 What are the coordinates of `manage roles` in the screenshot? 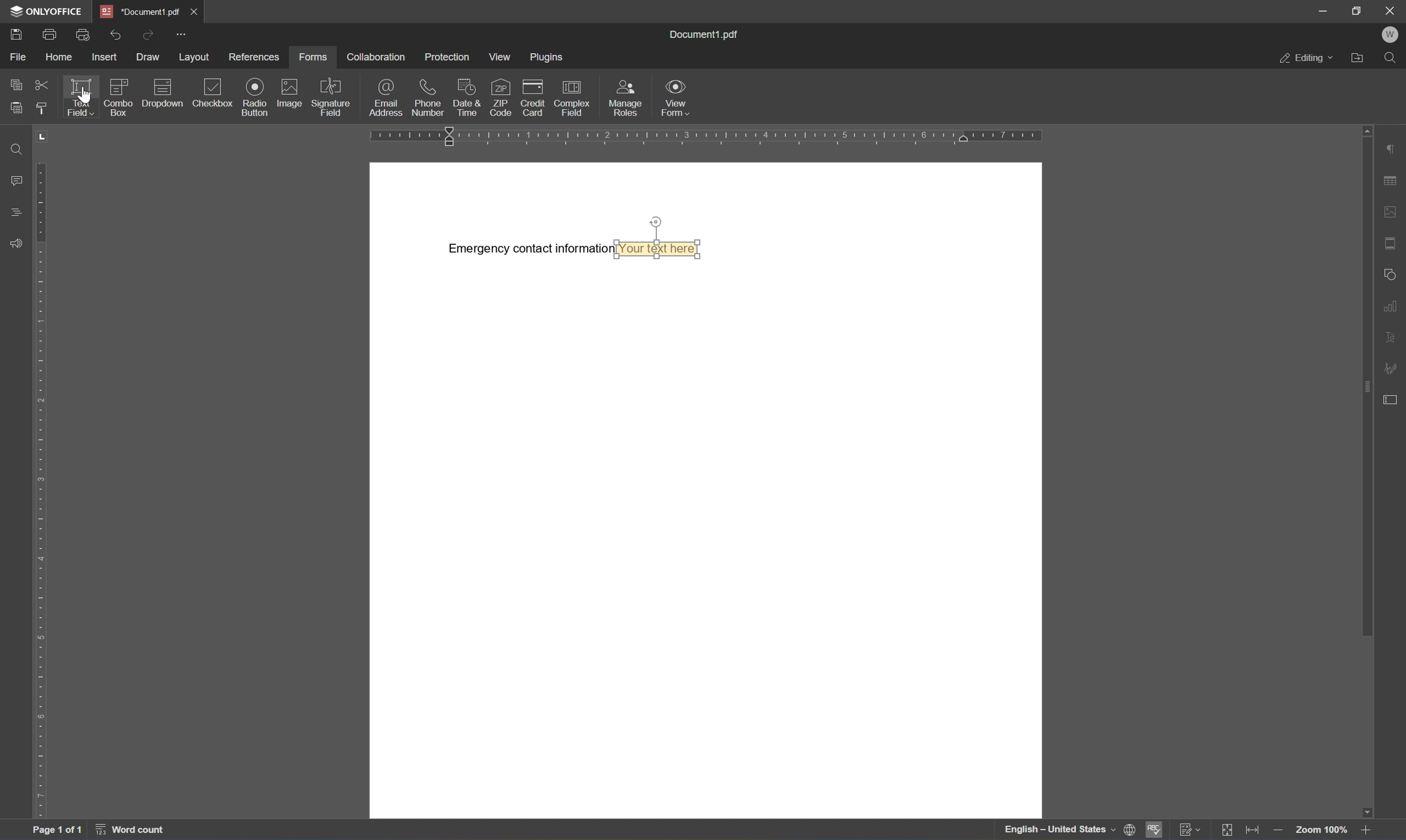 It's located at (627, 97).